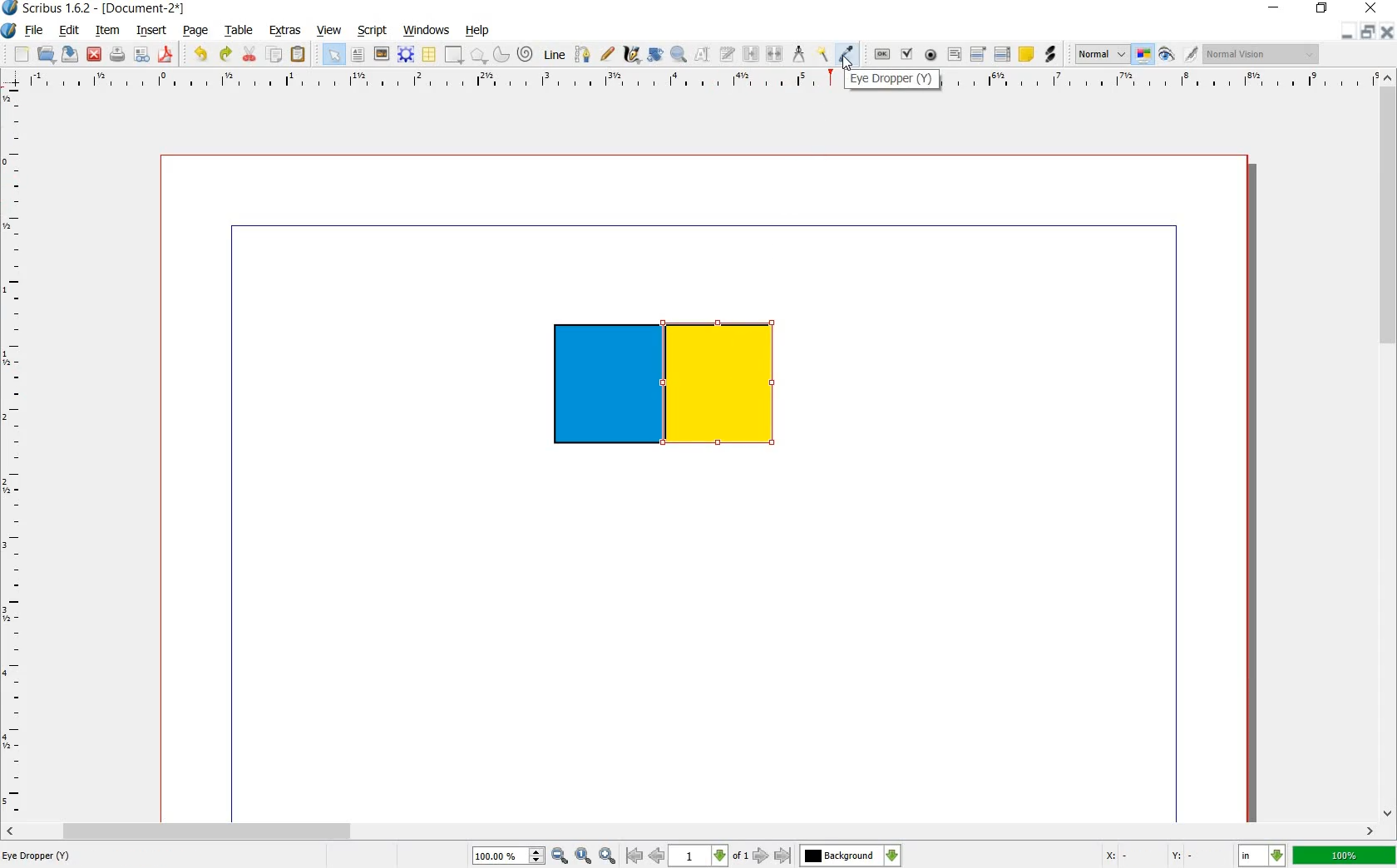 Image resolution: width=1397 pixels, height=868 pixels. Describe the element at coordinates (406, 55) in the screenshot. I see `render frame` at that location.